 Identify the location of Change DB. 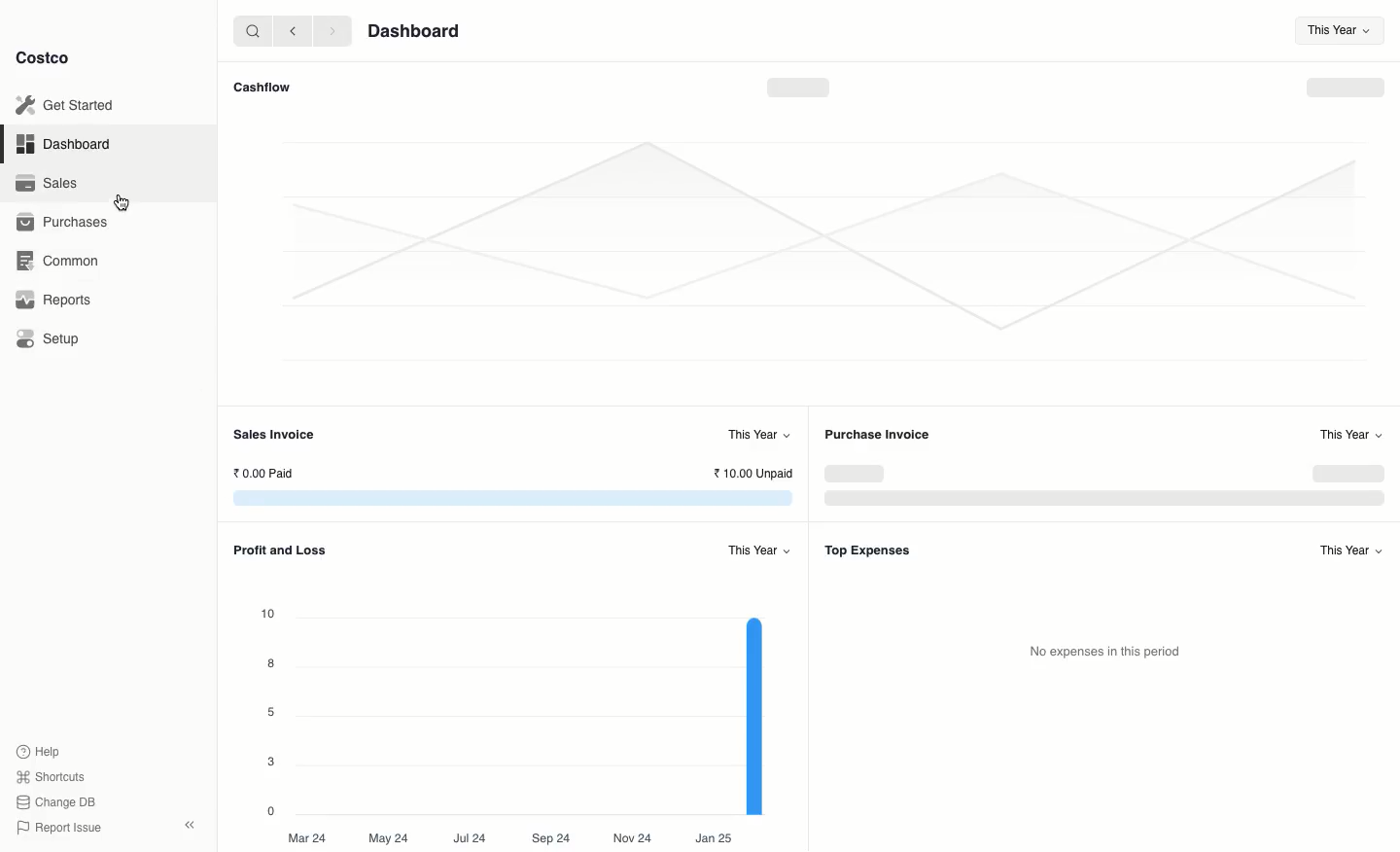
(57, 801).